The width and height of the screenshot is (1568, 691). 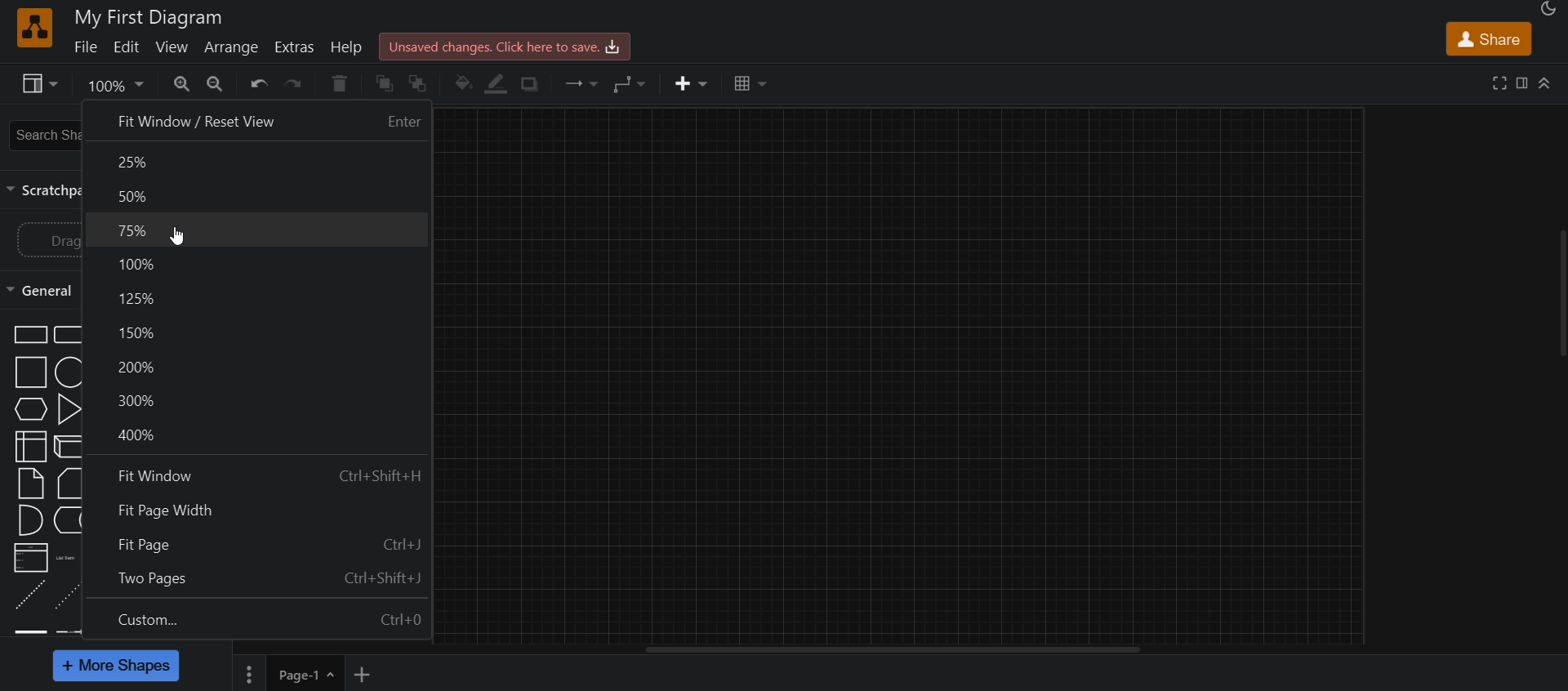 What do you see at coordinates (508, 46) in the screenshot?
I see `click here to save` at bounding box center [508, 46].